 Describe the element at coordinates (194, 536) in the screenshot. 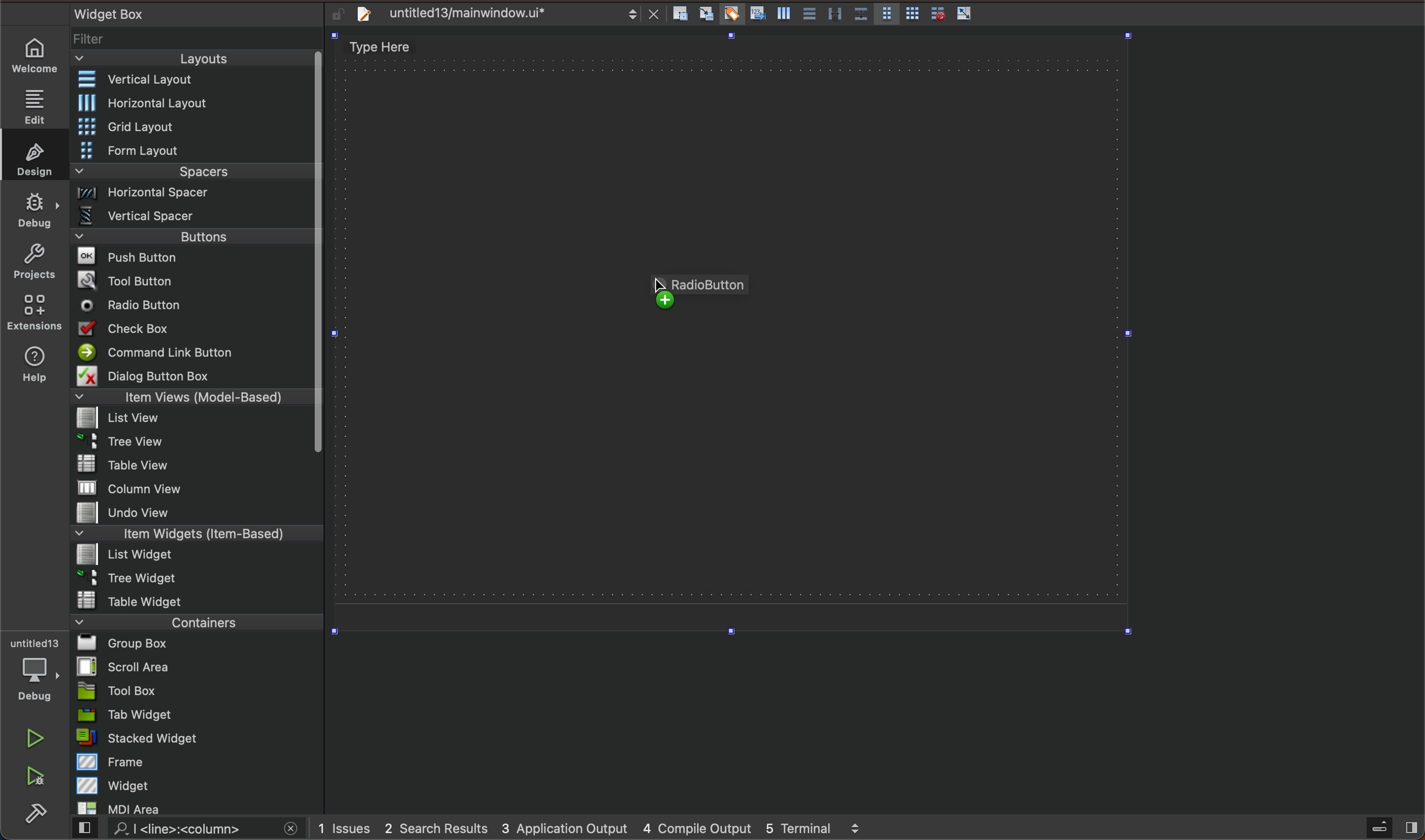

I see `item widget` at that location.